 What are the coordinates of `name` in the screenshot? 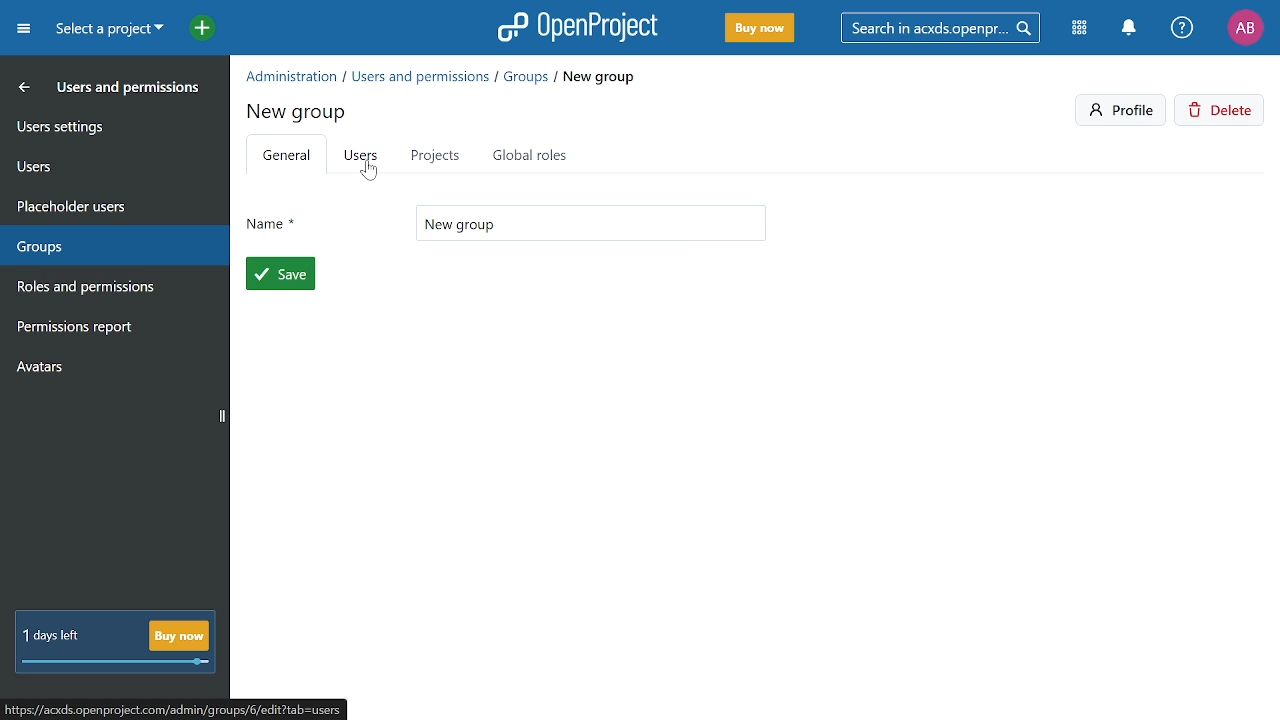 It's located at (271, 219).